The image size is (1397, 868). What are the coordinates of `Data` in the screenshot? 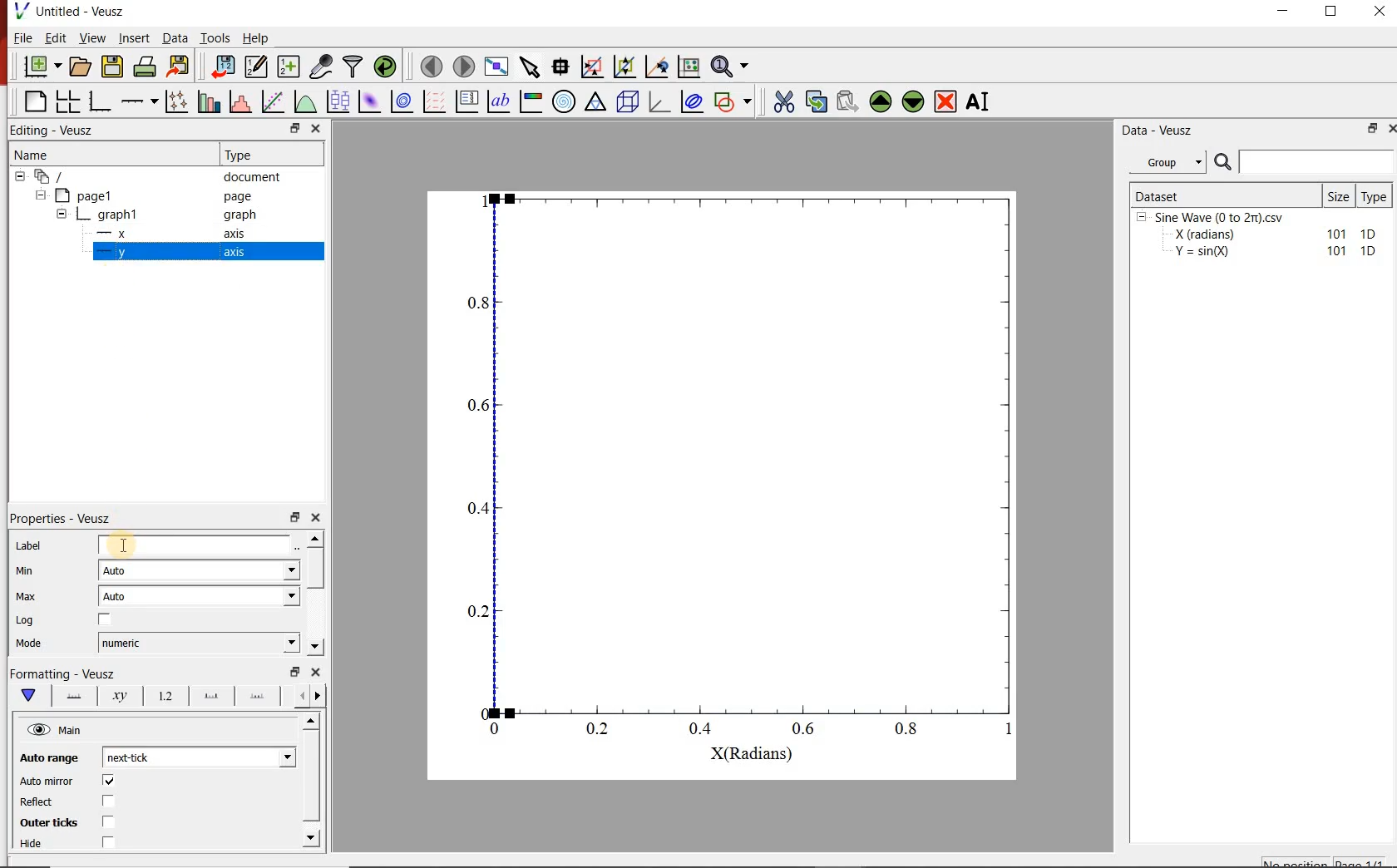 It's located at (174, 37).